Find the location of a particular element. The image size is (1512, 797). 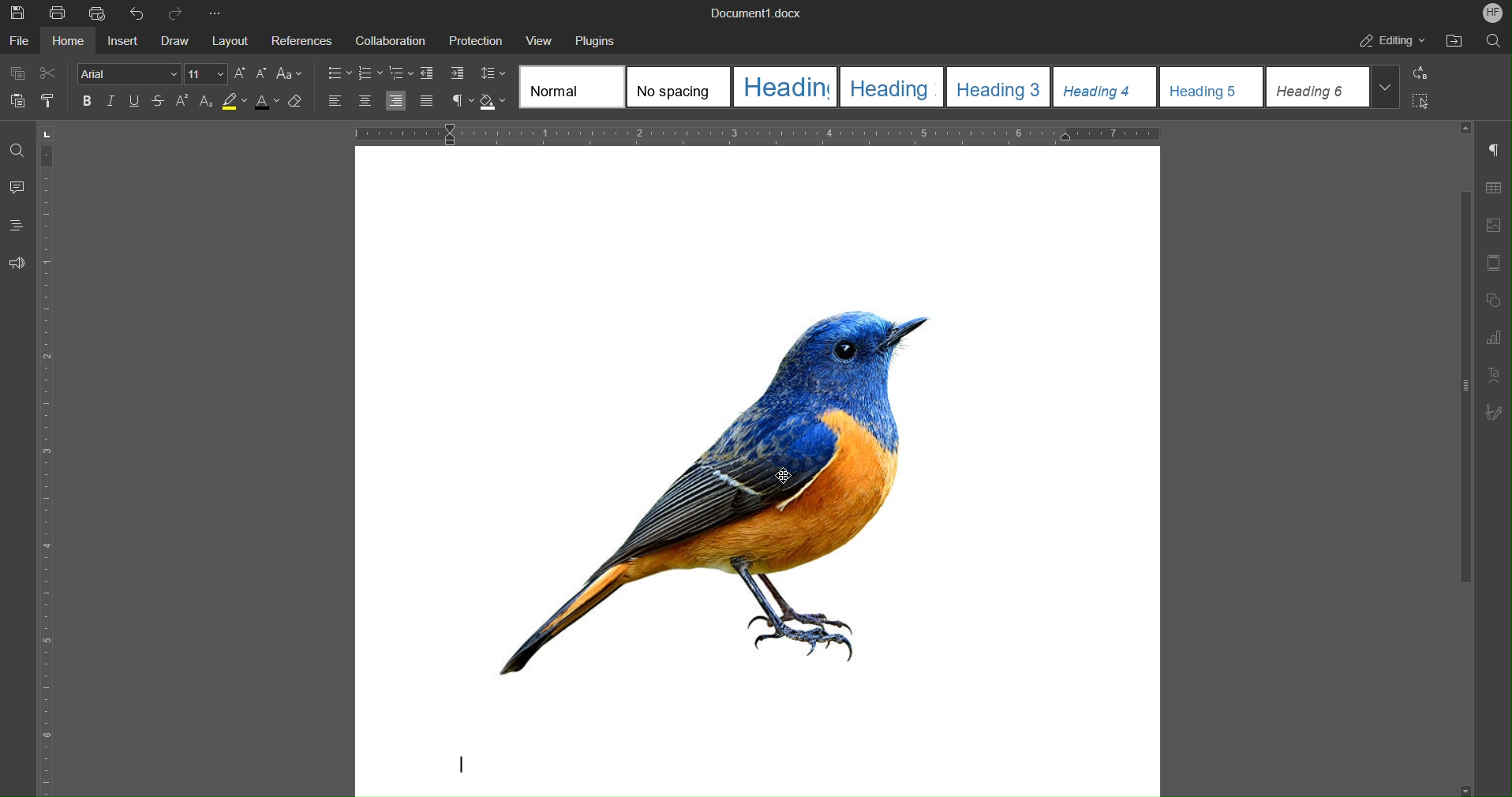

Save is located at coordinates (19, 13).